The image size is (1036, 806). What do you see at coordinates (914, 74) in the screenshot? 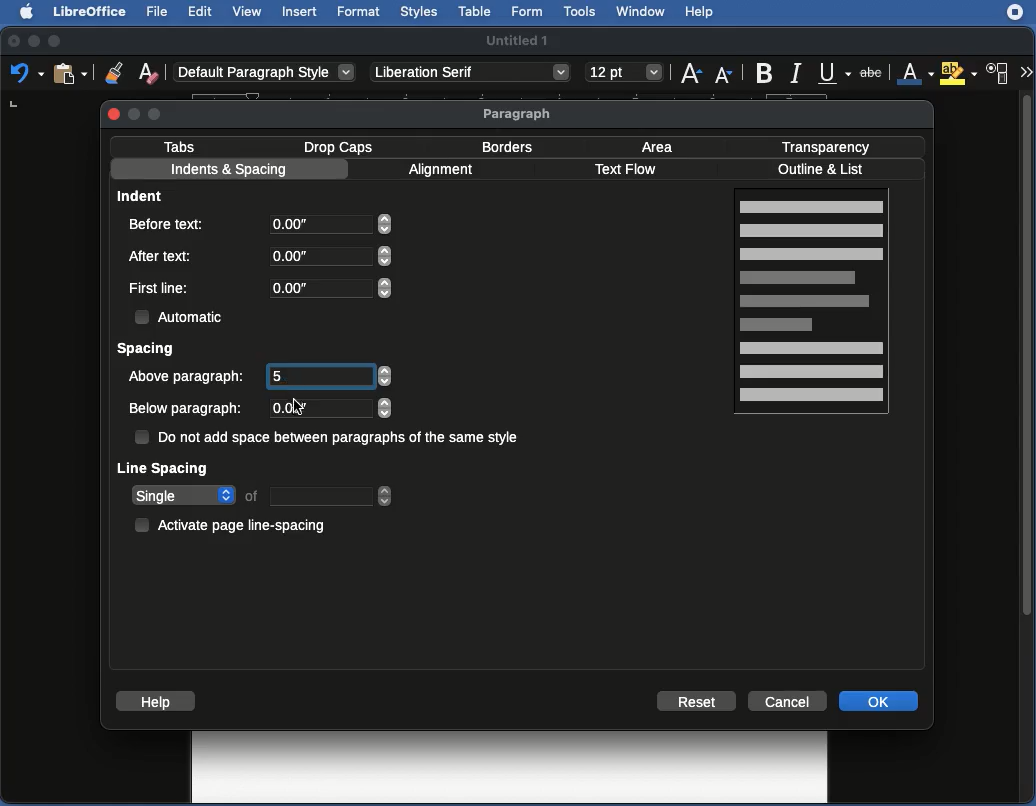
I see `Font color` at bounding box center [914, 74].